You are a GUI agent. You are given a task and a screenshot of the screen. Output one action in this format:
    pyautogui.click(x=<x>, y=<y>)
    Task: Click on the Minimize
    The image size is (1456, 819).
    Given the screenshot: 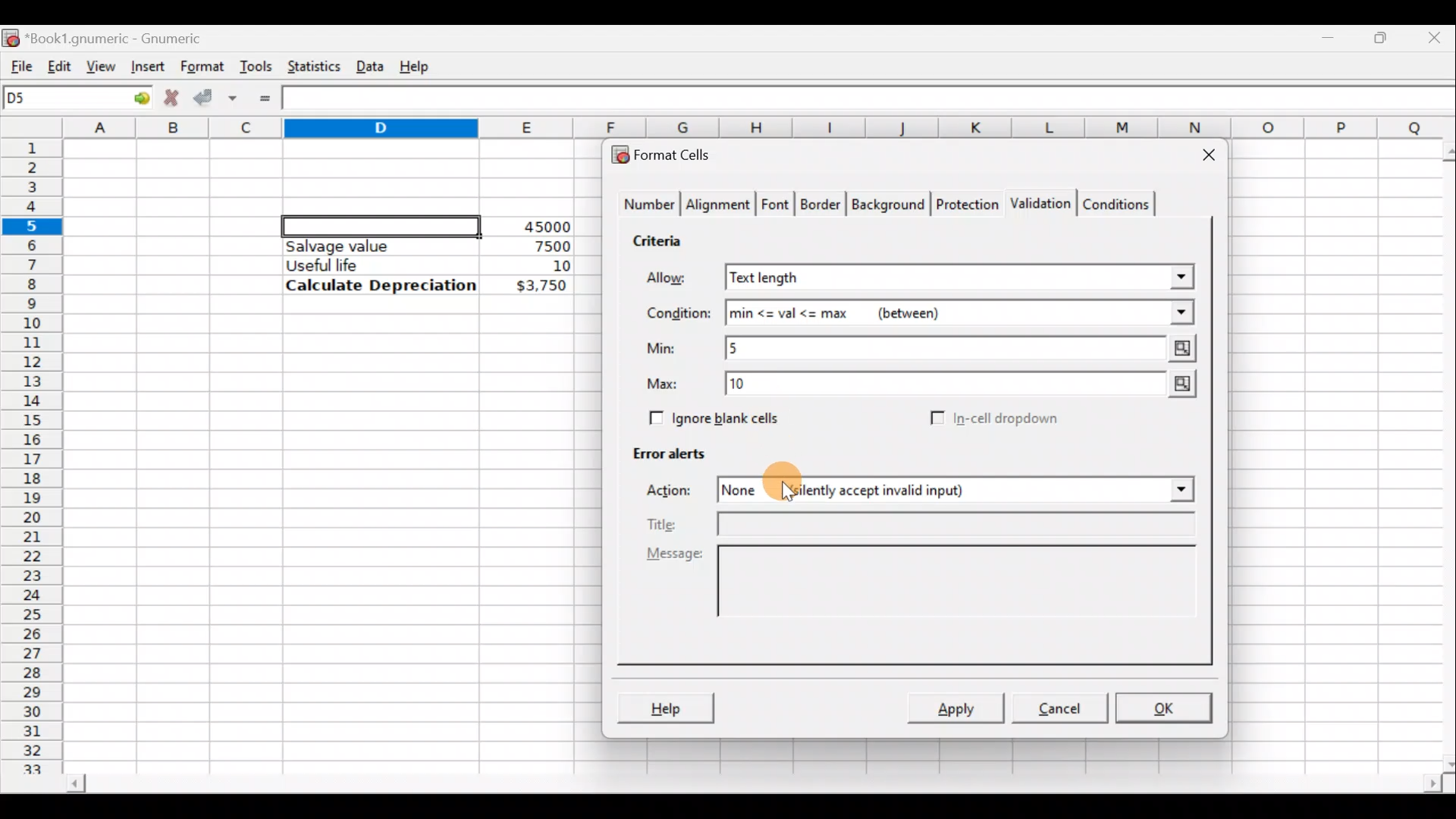 What is the action you would take?
    pyautogui.click(x=1332, y=34)
    